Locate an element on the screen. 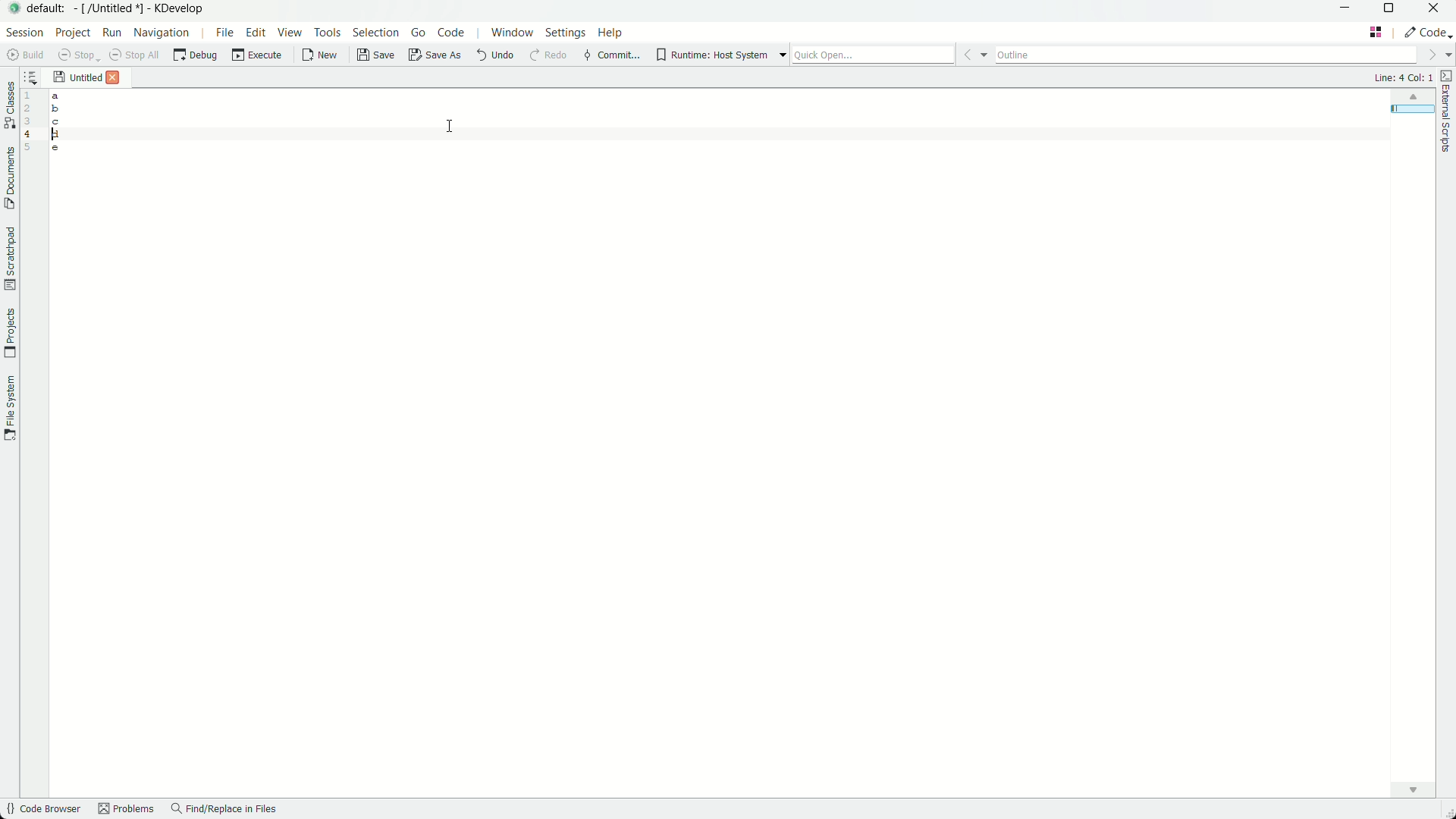 Image resolution: width=1456 pixels, height=819 pixels. view is located at coordinates (290, 33).